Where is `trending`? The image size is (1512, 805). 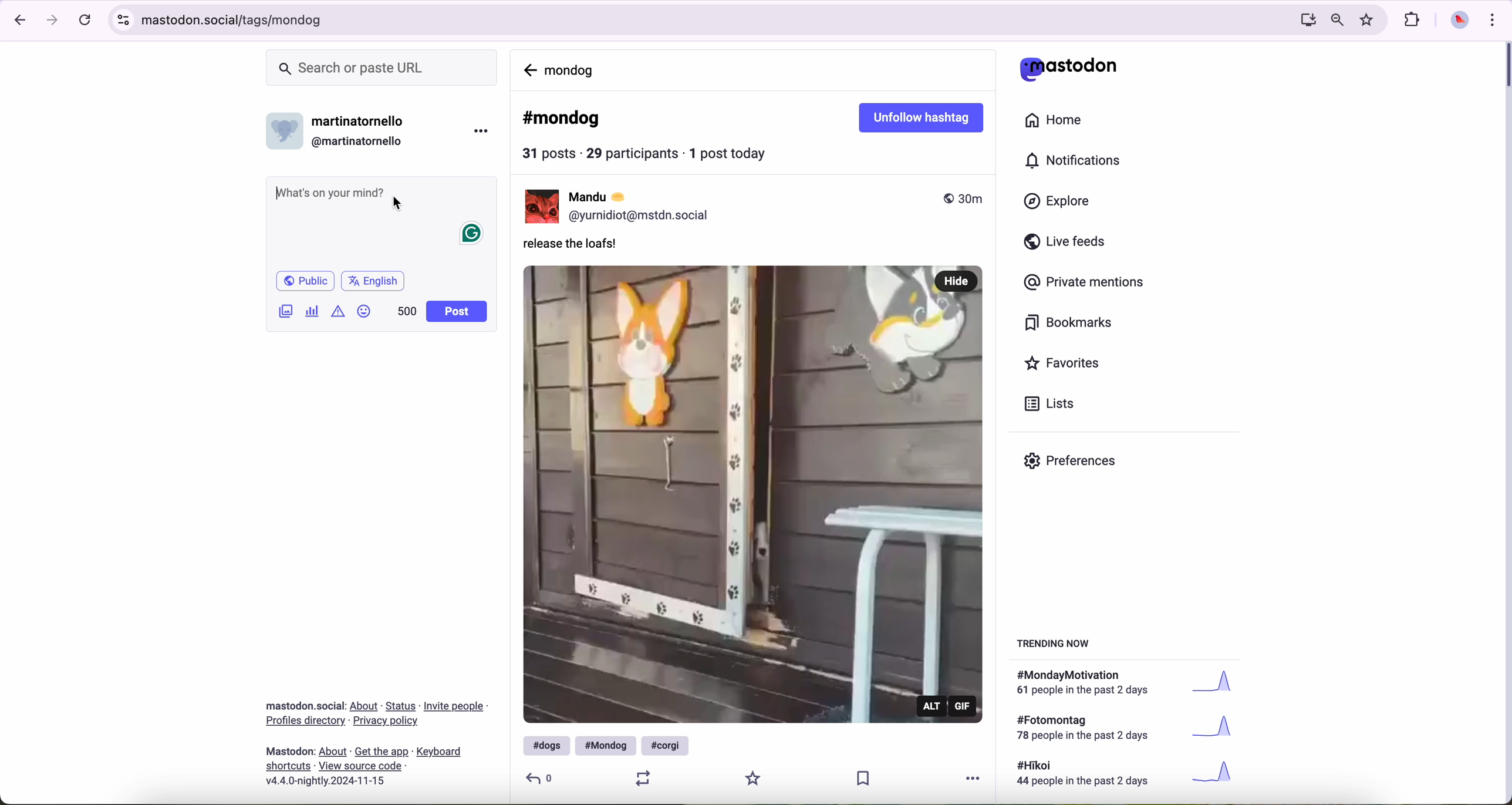 trending is located at coordinates (1057, 646).